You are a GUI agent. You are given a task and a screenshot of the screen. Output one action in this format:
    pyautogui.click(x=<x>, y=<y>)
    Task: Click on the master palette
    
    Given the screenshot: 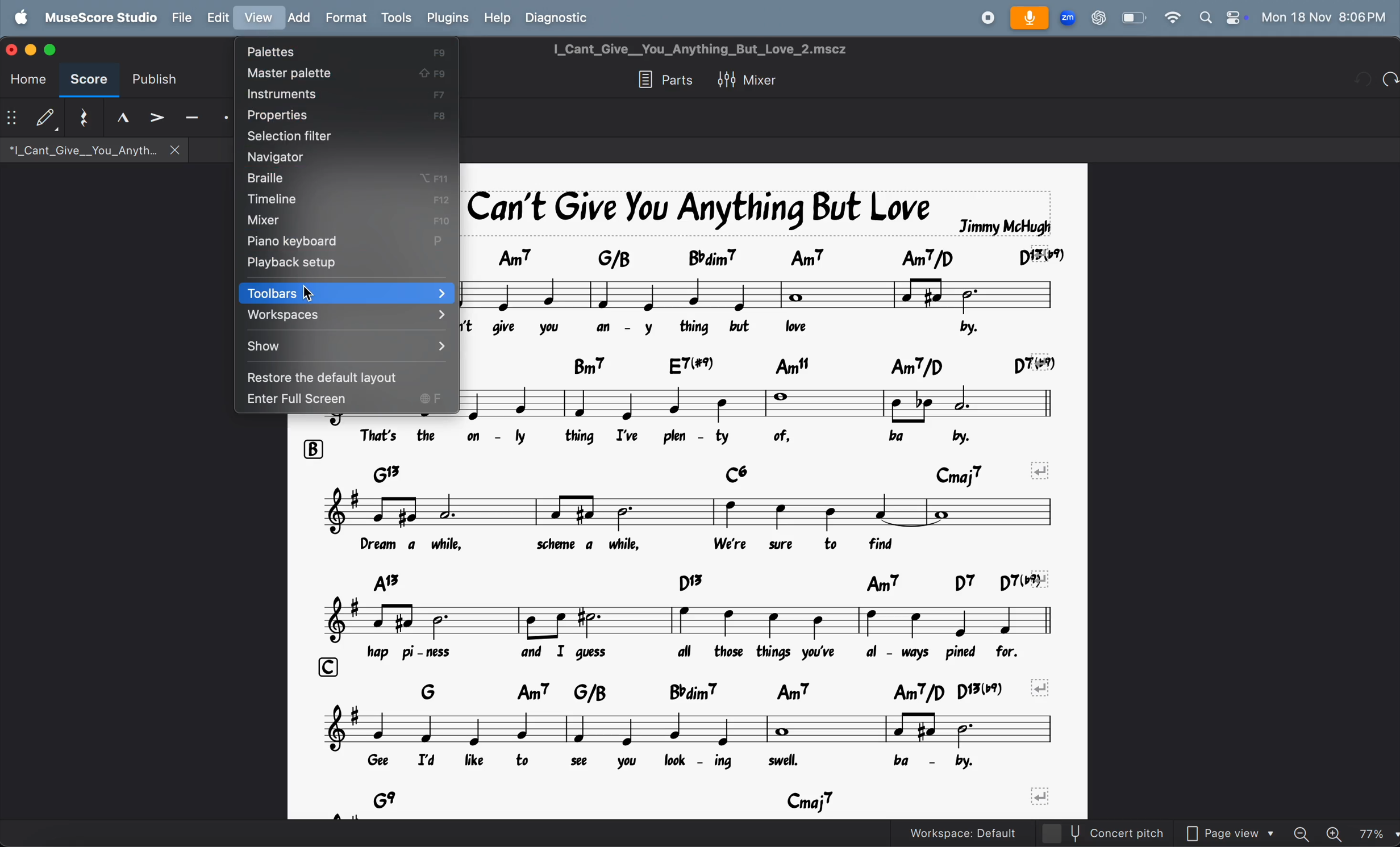 What is the action you would take?
    pyautogui.click(x=348, y=74)
    